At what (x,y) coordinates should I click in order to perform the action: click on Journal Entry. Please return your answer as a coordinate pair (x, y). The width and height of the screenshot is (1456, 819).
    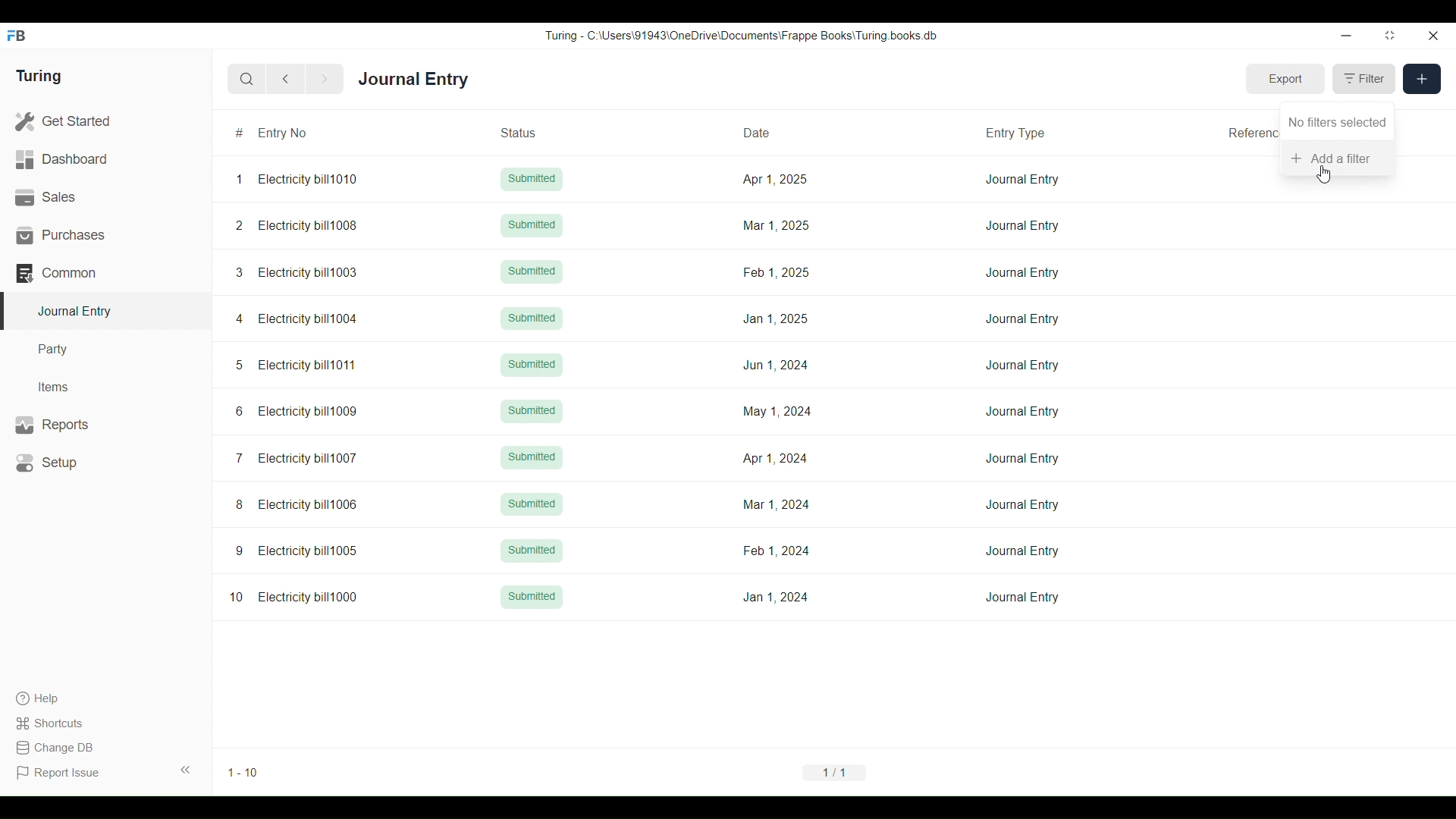
    Looking at the image, I should click on (413, 78).